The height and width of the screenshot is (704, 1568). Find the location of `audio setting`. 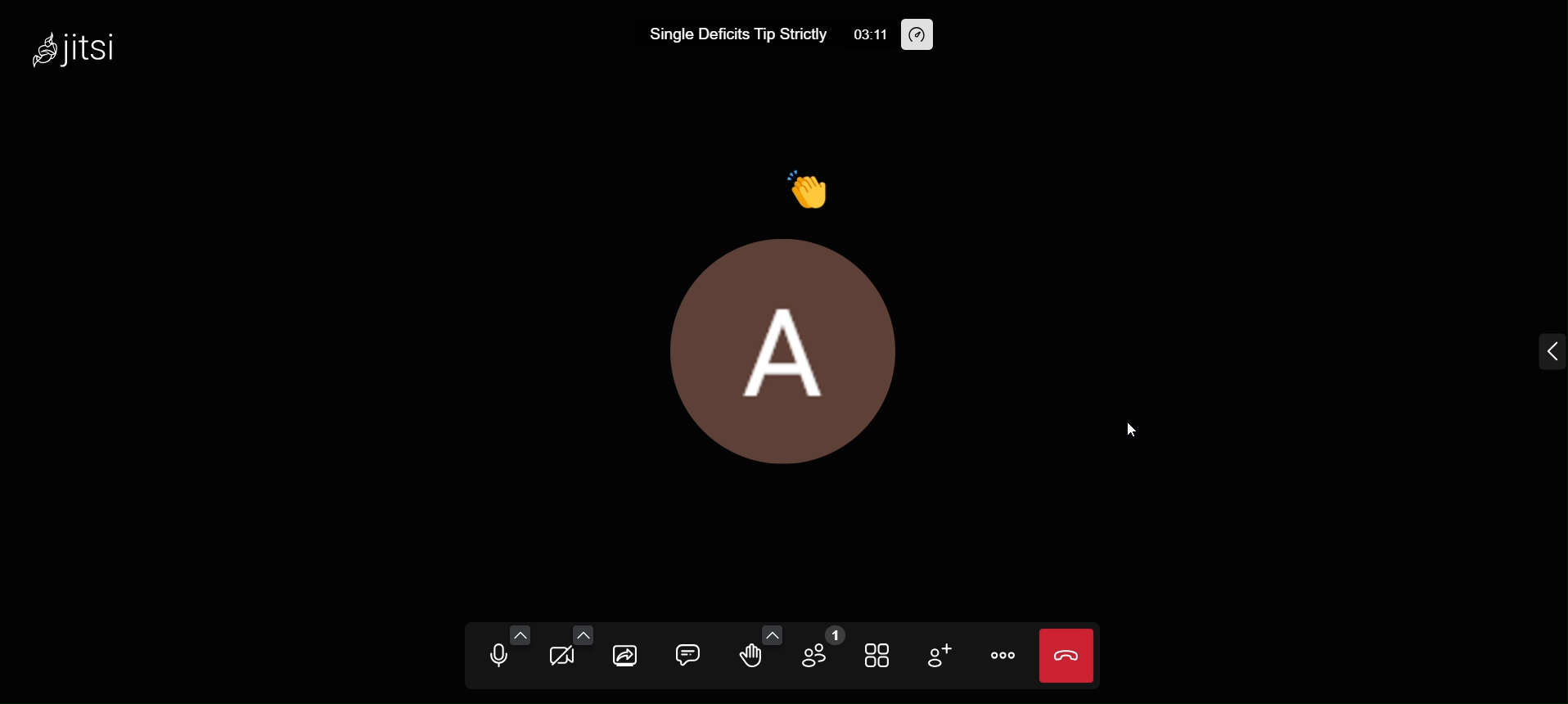

audio setting is located at coordinates (520, 634).